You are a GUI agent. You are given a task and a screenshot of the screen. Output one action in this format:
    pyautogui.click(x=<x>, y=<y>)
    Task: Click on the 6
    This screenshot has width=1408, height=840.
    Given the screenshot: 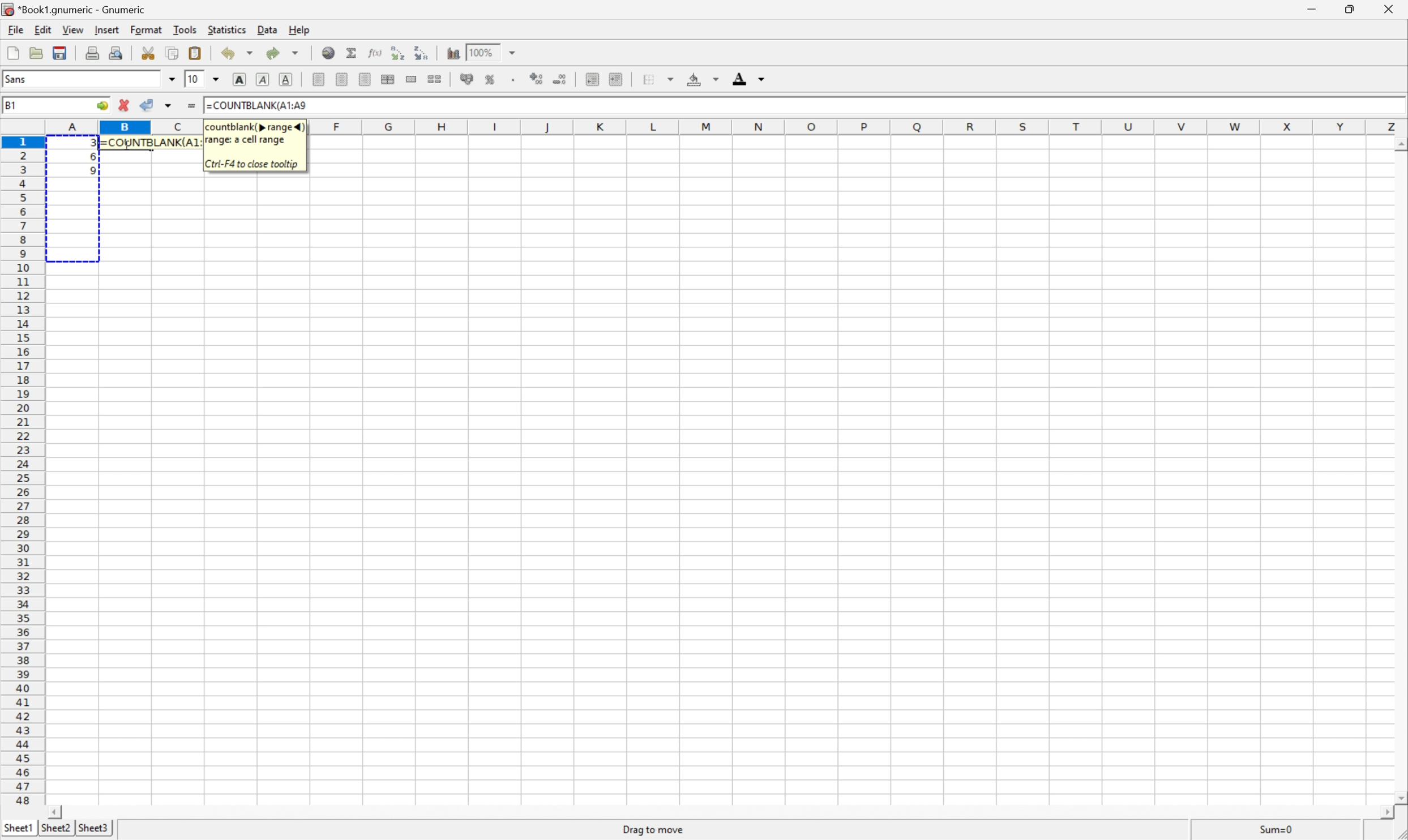 What is the action you would take?
    pyautogui.click(x=88, y=158)
    